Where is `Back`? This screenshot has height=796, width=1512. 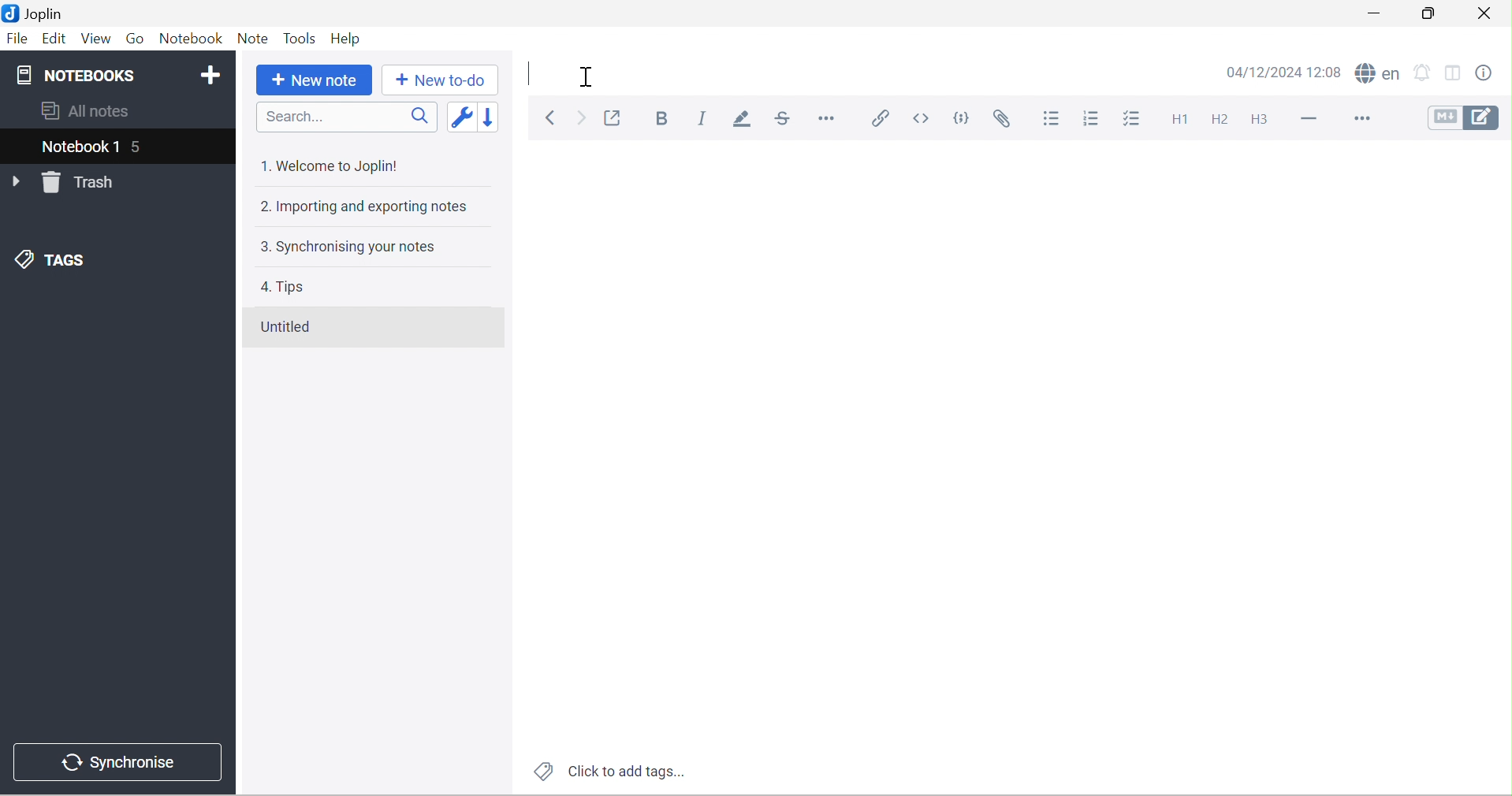
Back is located at coordinates (553, 117).